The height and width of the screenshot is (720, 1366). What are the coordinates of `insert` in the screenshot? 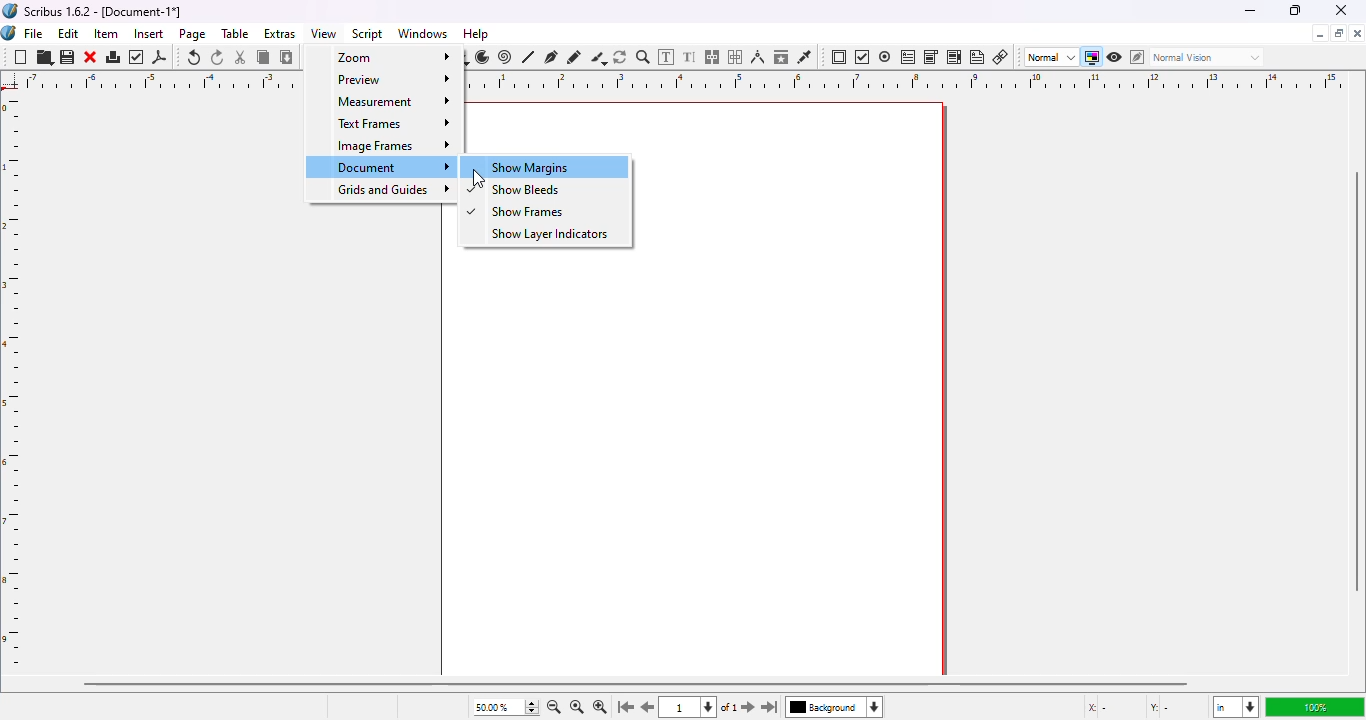 It's located at (149, 33).